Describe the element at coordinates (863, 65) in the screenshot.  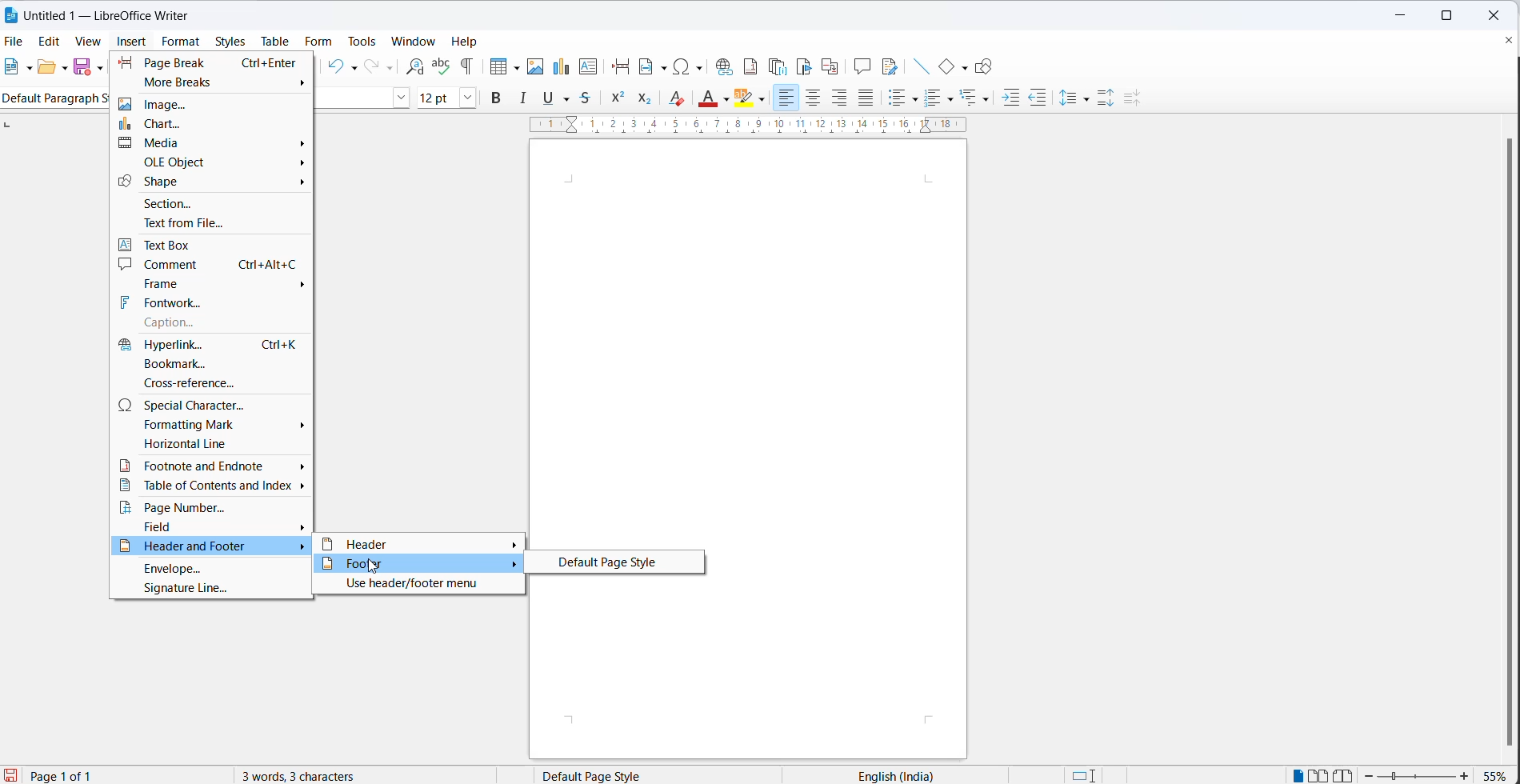
I see `insert comments` at that location.